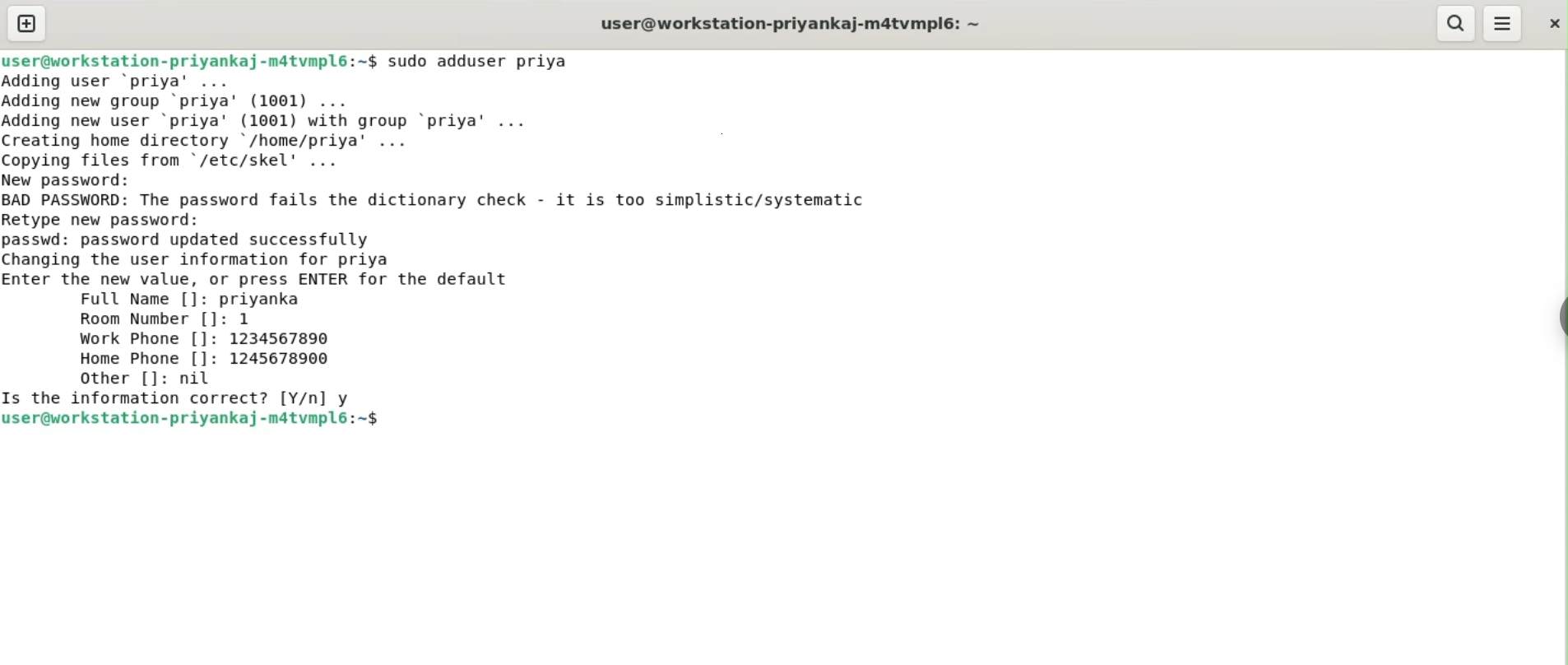 Image resolution: width=1568 pixels, height=665 pixels. Describe the element at coordinates (1503, 24) in the screenshot. I see `menu` at that location.